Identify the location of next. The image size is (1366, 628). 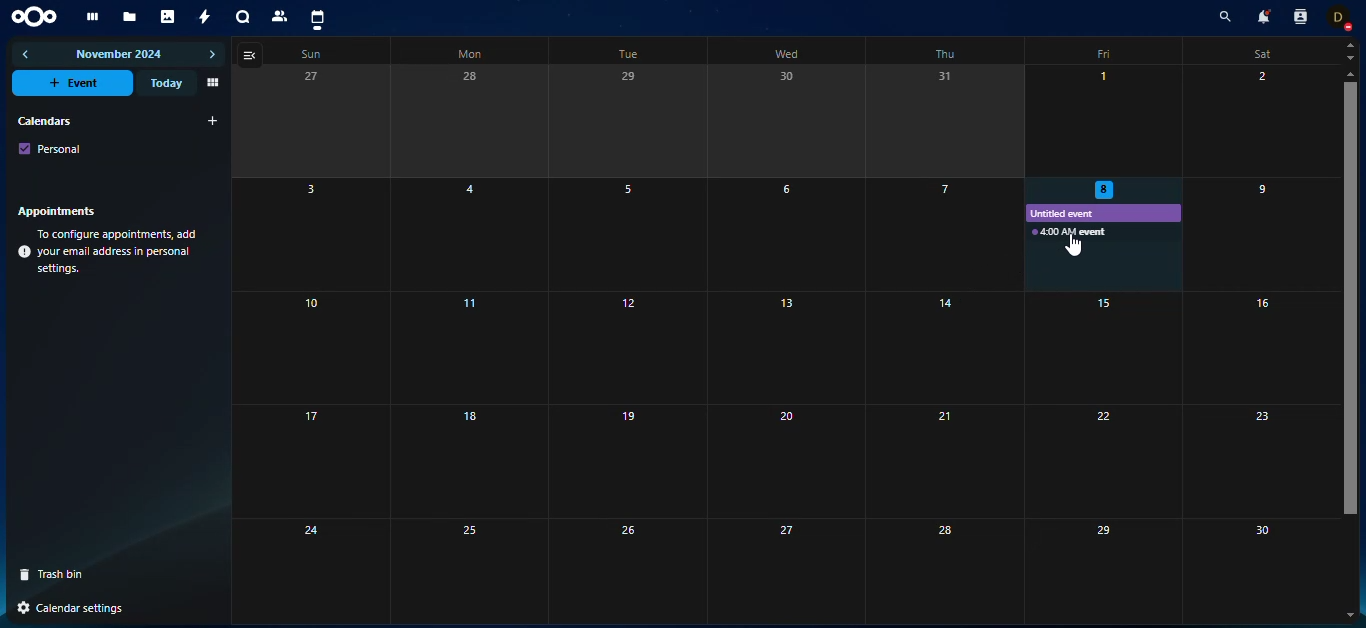
(212, 55).